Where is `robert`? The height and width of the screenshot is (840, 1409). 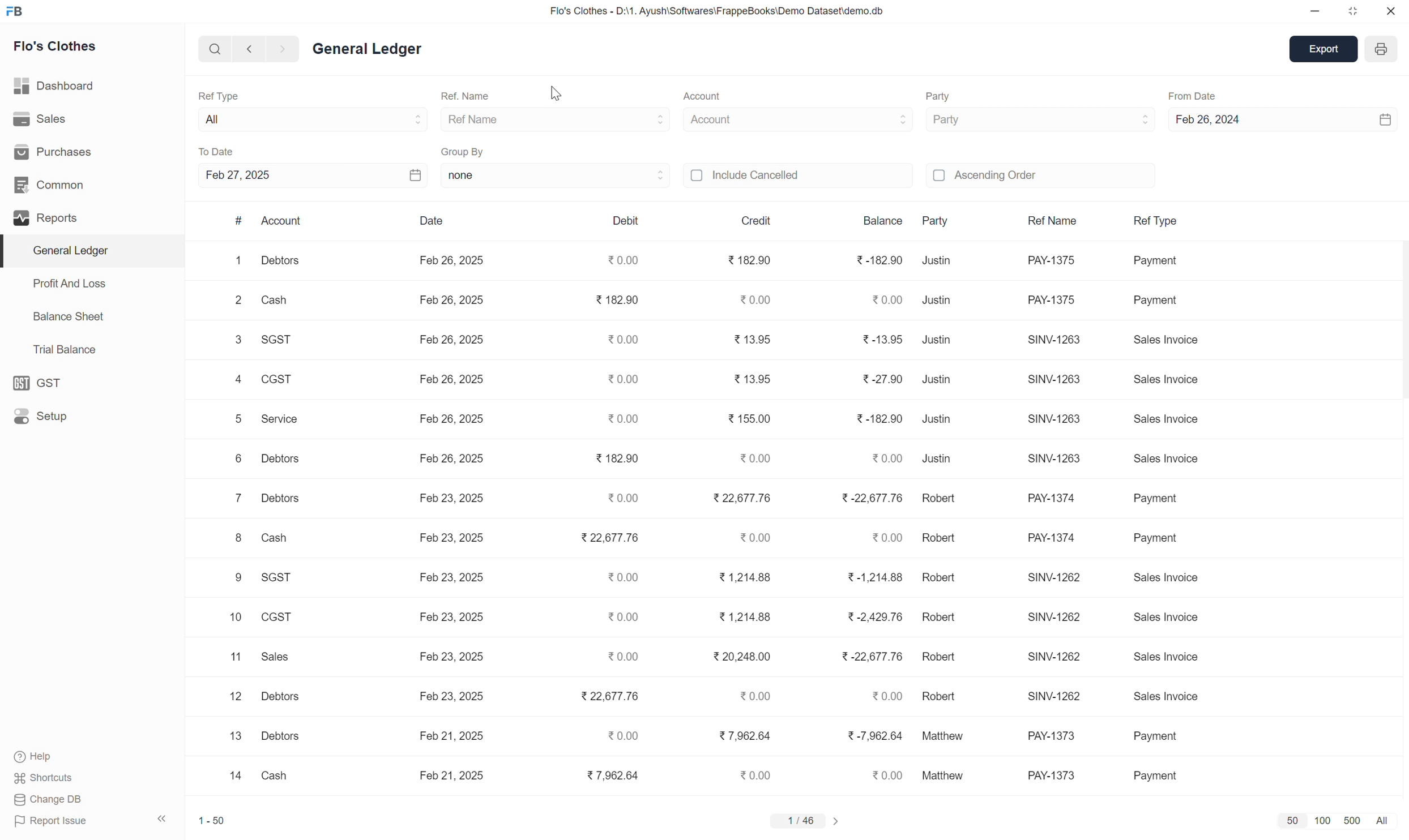
robert is located at coordinates (943, 500).